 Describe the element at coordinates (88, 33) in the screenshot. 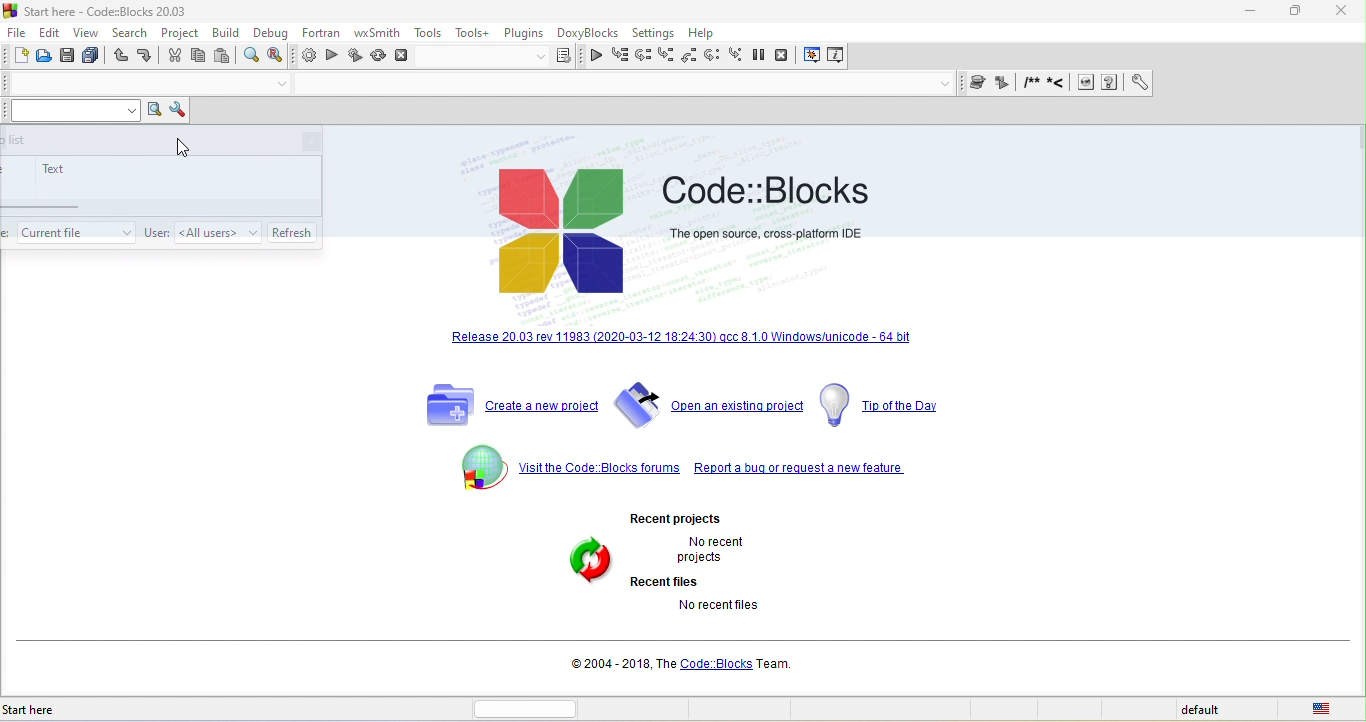

I see `view` at that location.